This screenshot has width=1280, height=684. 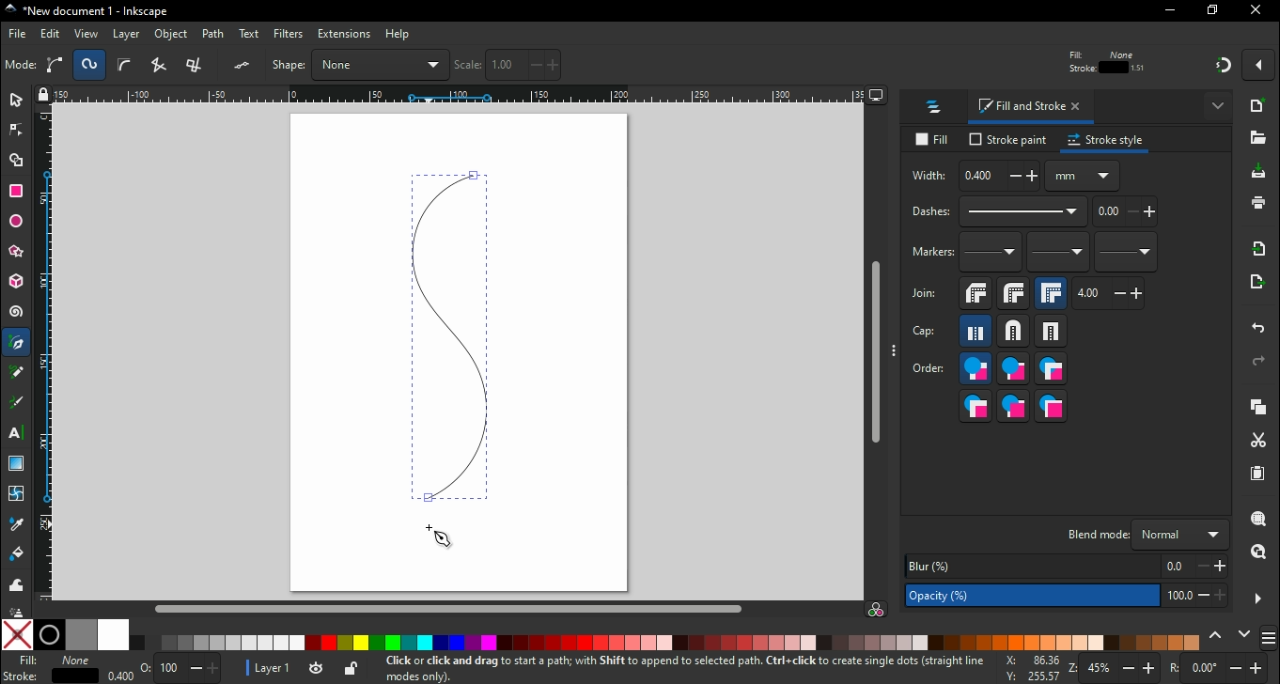 What do you see at coordinates (992, 257) in the screenshot?
I see `start marker` at bounding box center [992, 257].